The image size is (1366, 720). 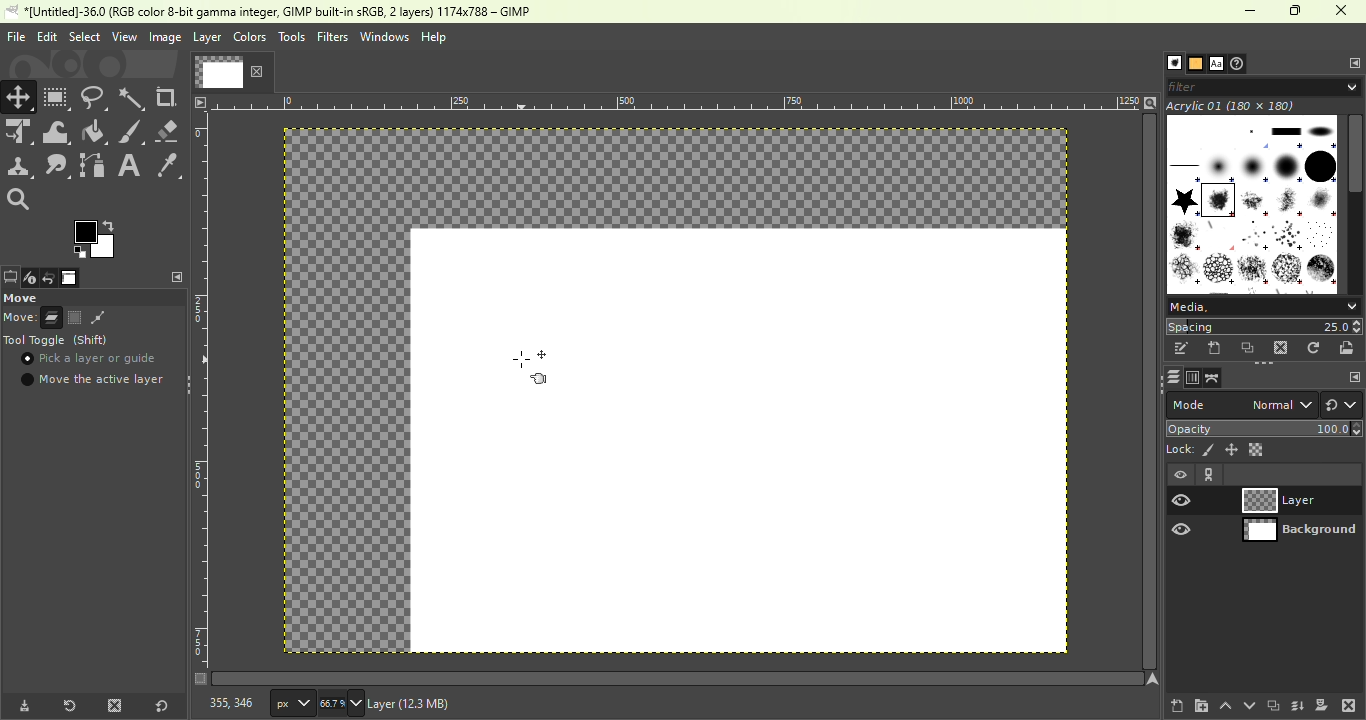 I want to click on Help, so click(x=436, y=37).